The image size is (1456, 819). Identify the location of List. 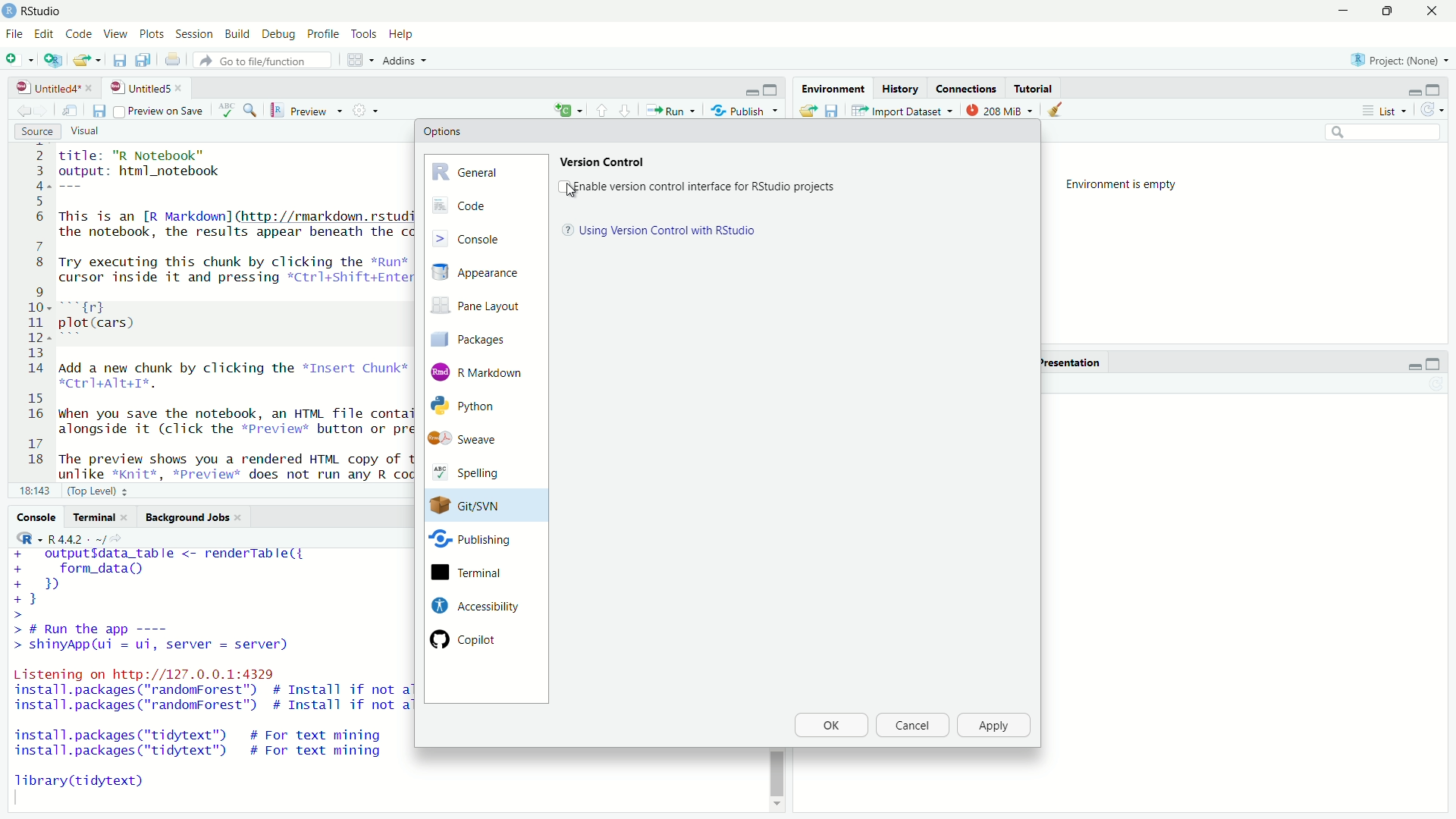
(1389, 111).